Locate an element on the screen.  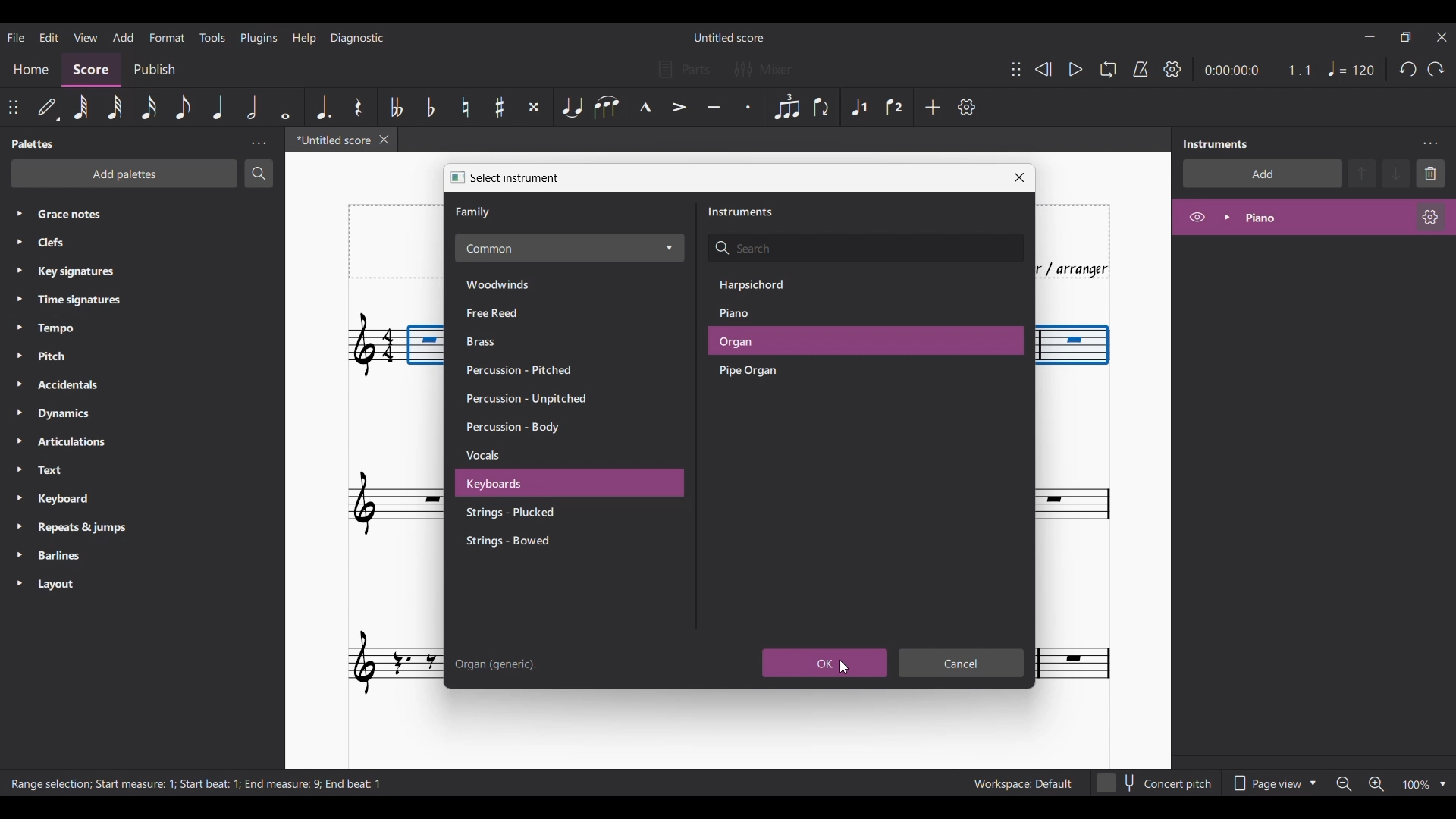
Rewind is located at coordinates (1043, 69).